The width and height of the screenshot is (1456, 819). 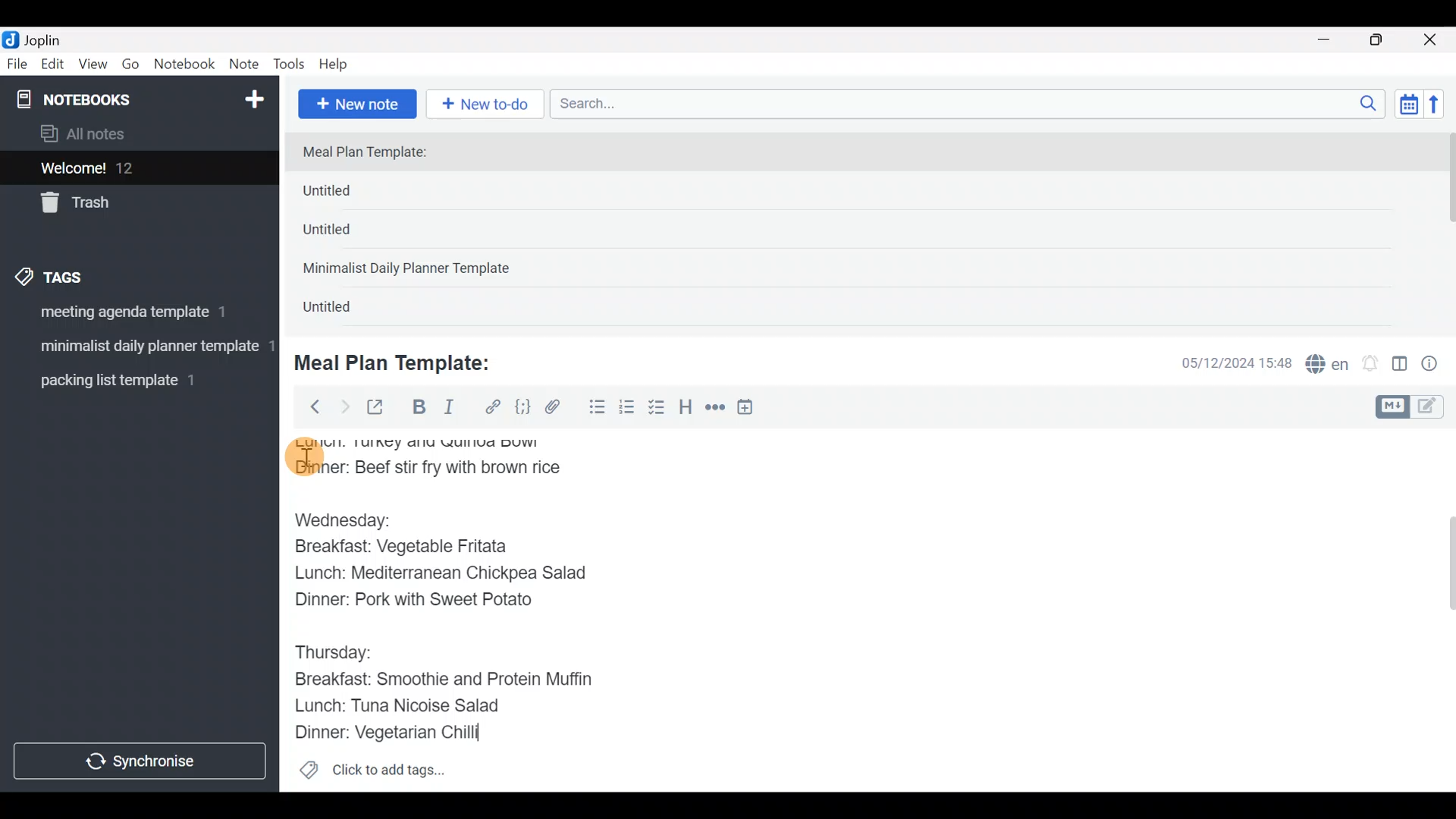 I want to click on Thursday:, so click(x=340, y=651).